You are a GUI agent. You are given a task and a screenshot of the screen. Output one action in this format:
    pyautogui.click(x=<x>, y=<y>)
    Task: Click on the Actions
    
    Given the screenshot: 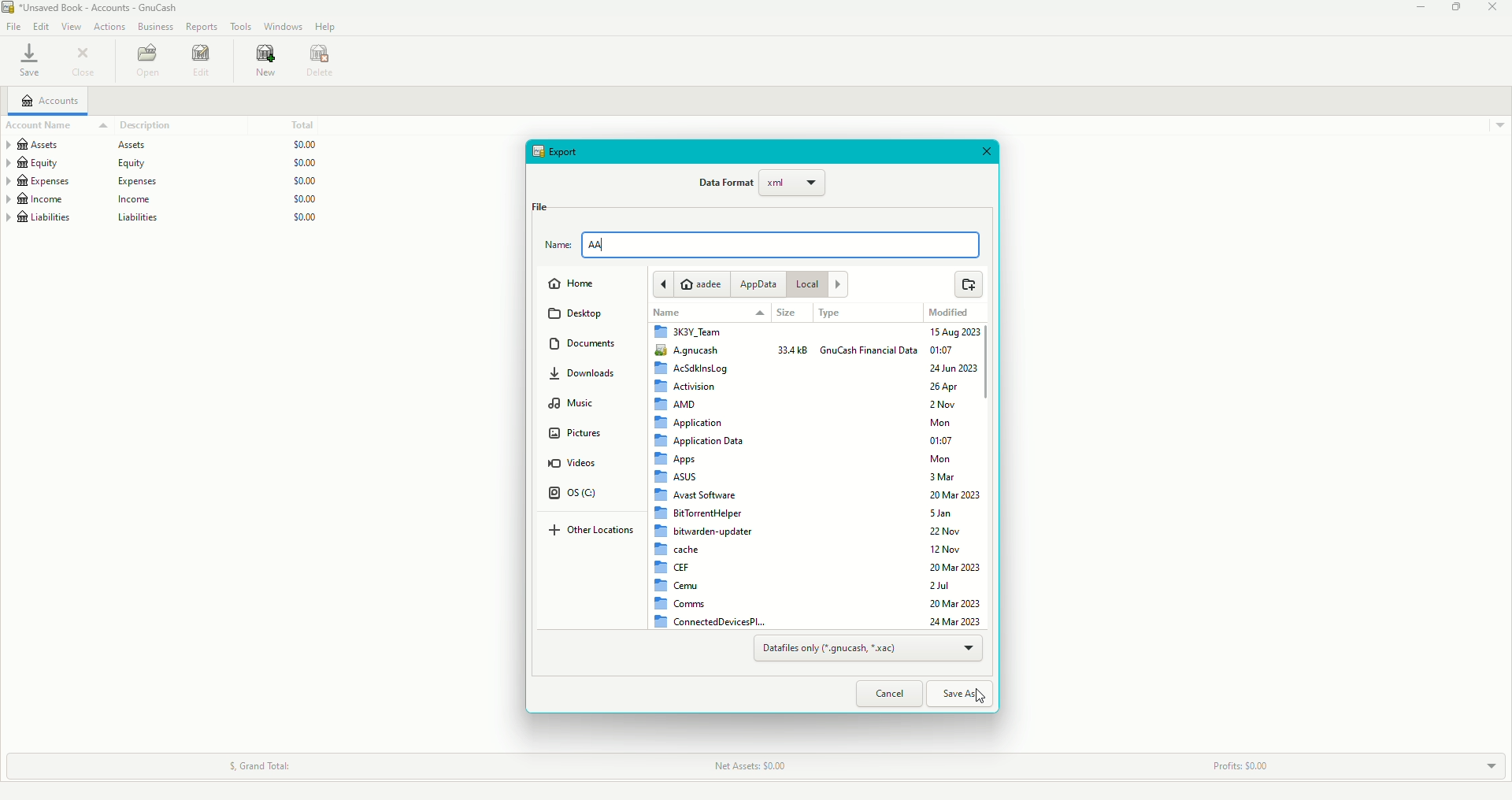 What is the action you would take?
    pyautogui.click(x=108, y=28)
    